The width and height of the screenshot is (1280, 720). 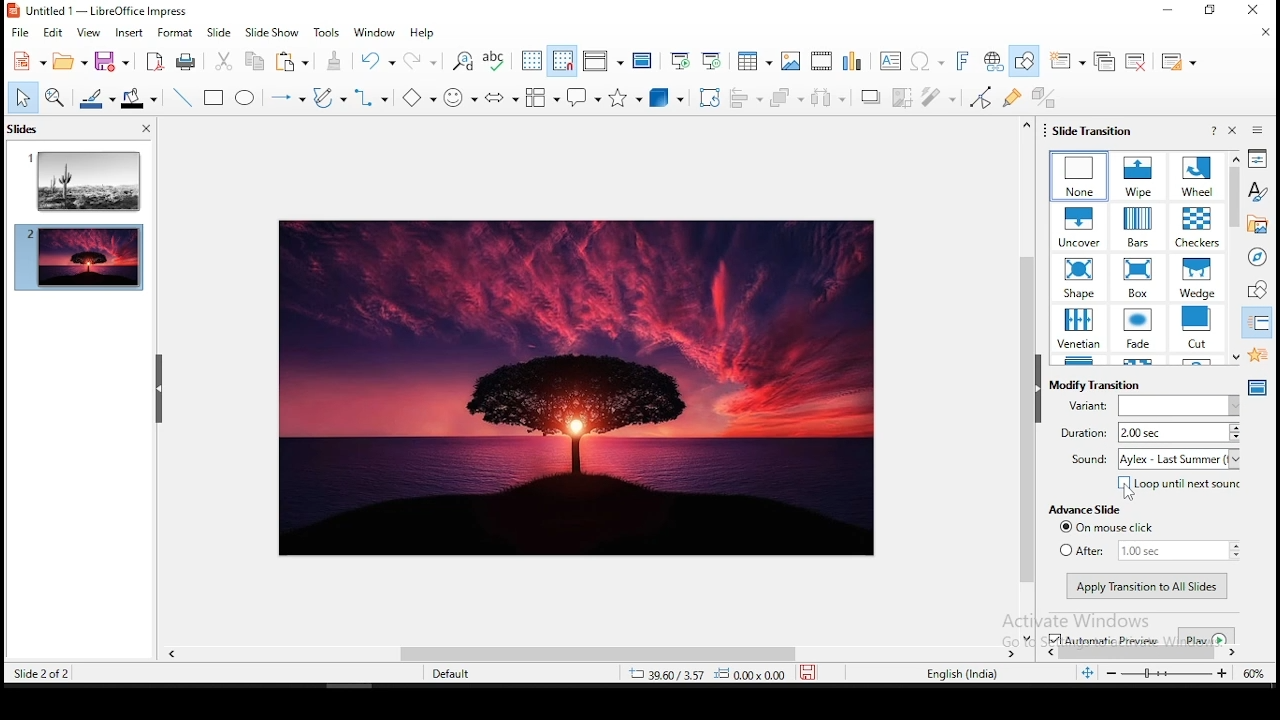 I want to click on styles, so click(x=1258, y=193).